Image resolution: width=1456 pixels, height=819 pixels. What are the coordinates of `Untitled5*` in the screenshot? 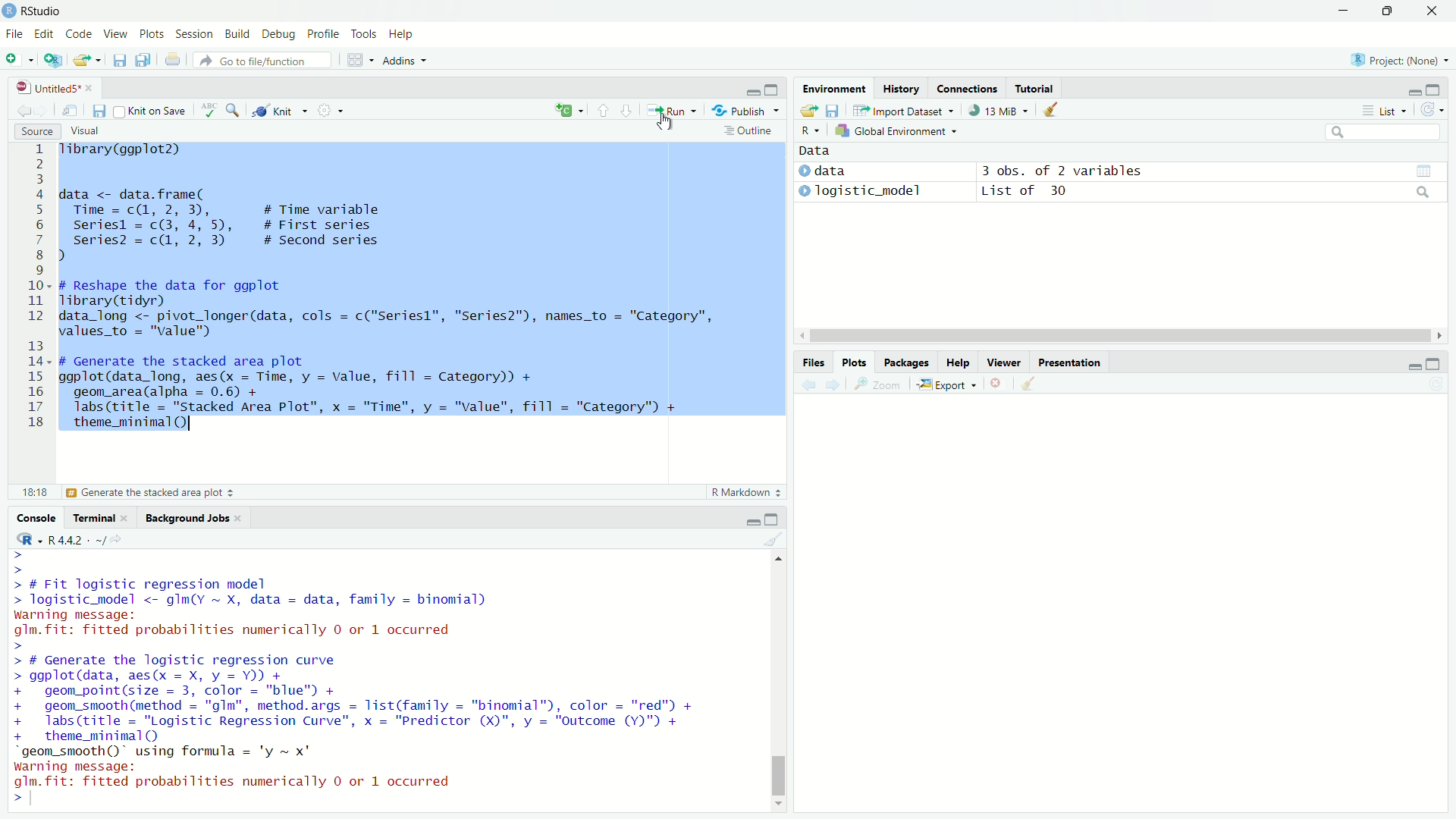 It's located at (44, 86).